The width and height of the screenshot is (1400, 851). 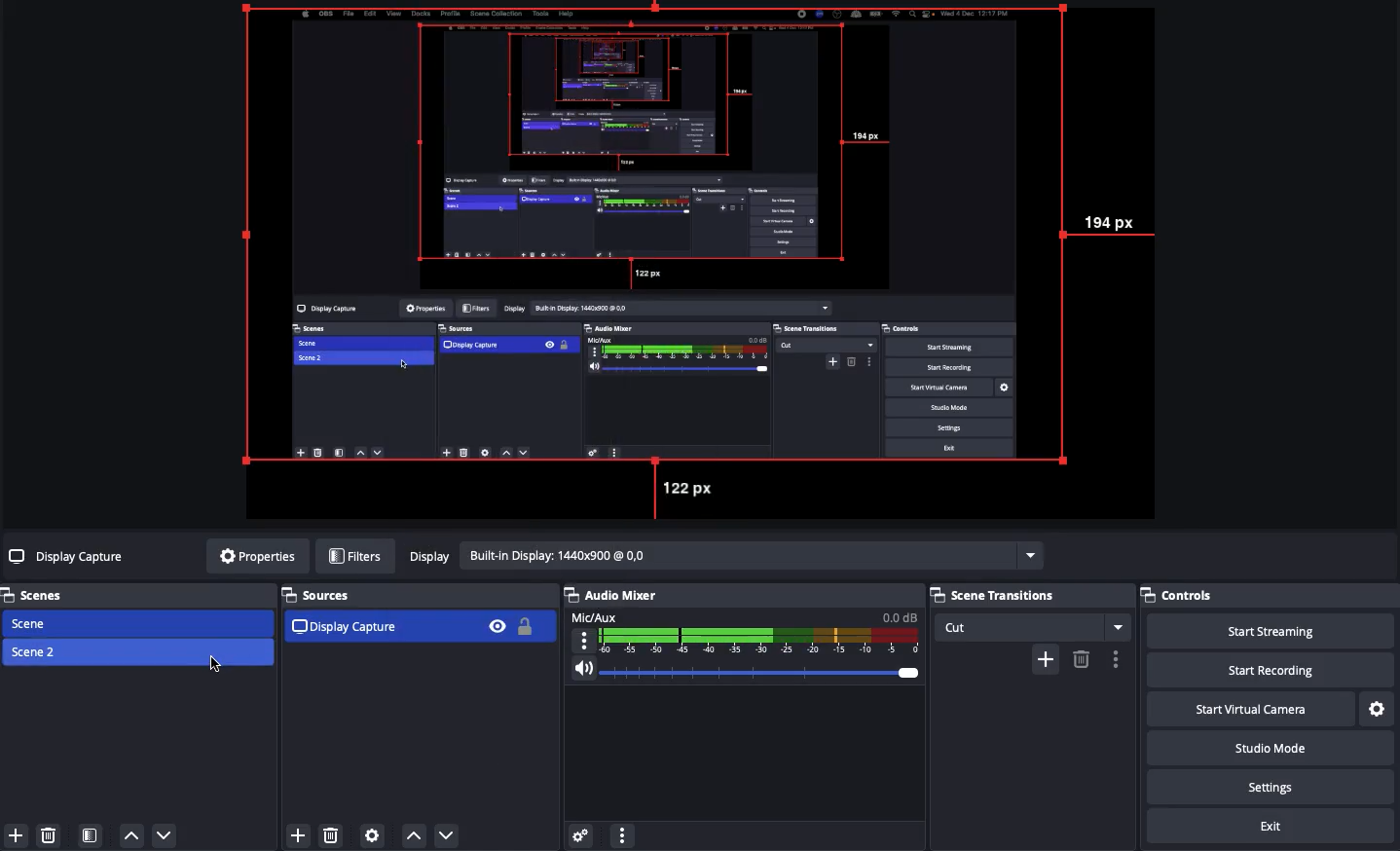 I want to click on Cut, so click(x=1034, y=627).